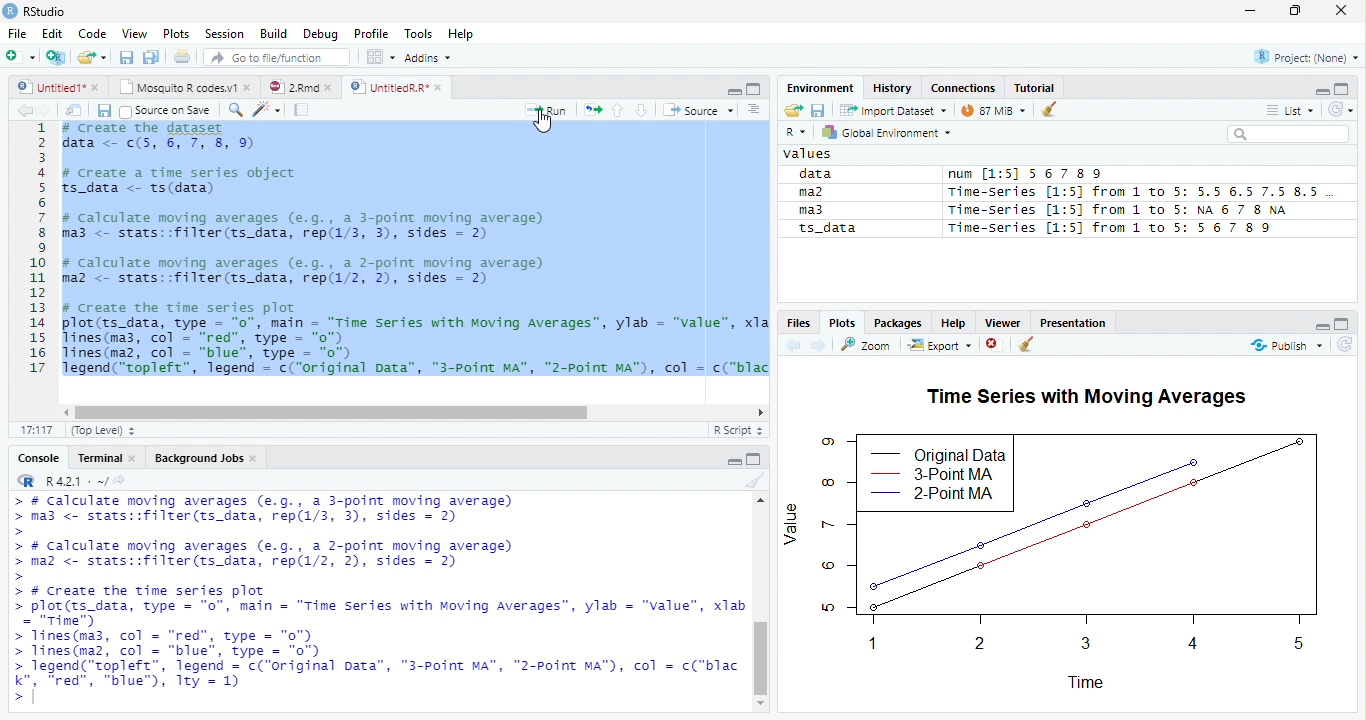 This screenshot has height=720, width=1366. Describe the element at coordinates (268, 109) in the screenshot. I see `code tool` at that location.